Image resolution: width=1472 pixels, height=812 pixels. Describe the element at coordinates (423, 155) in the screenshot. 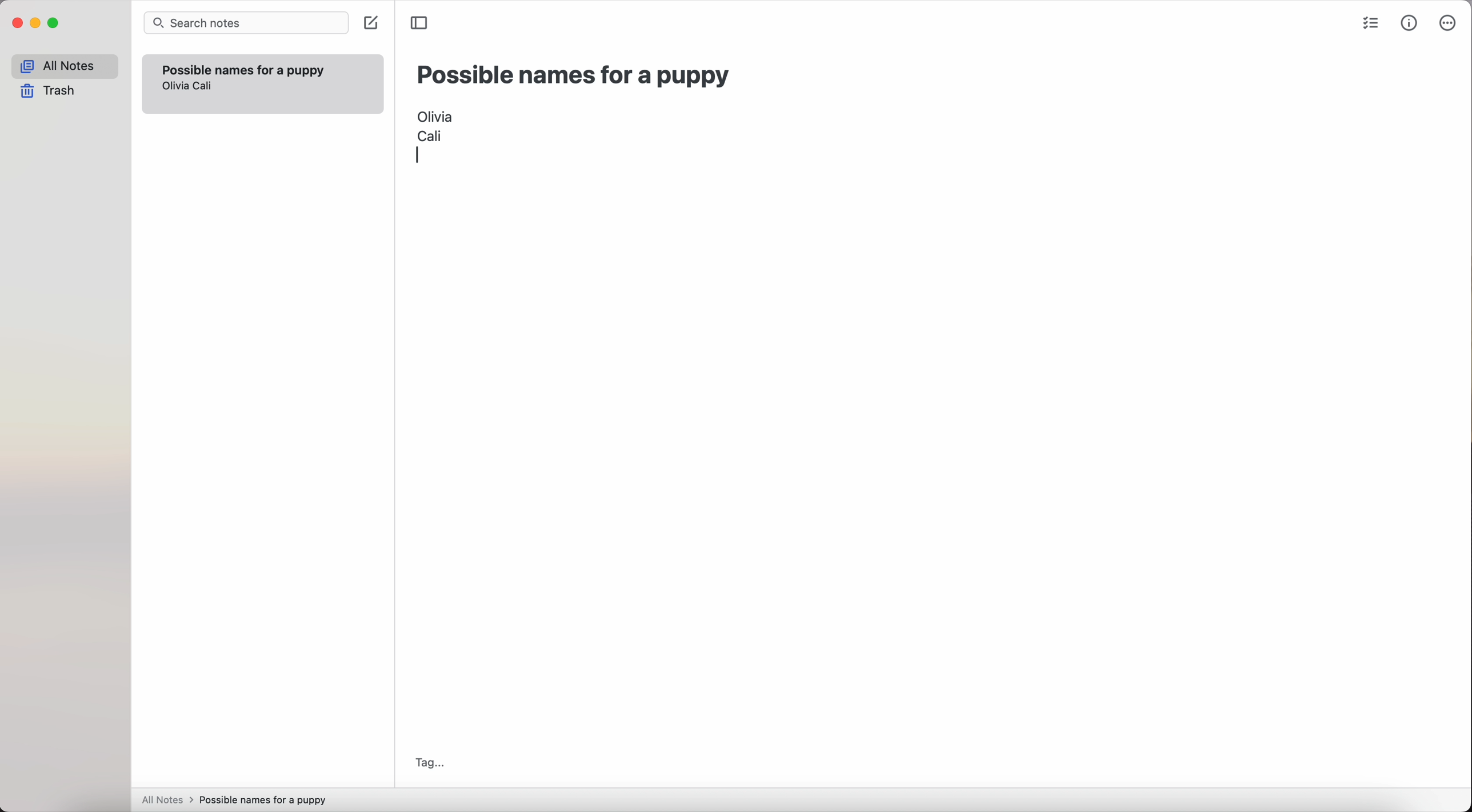

I see `enter` at that location.